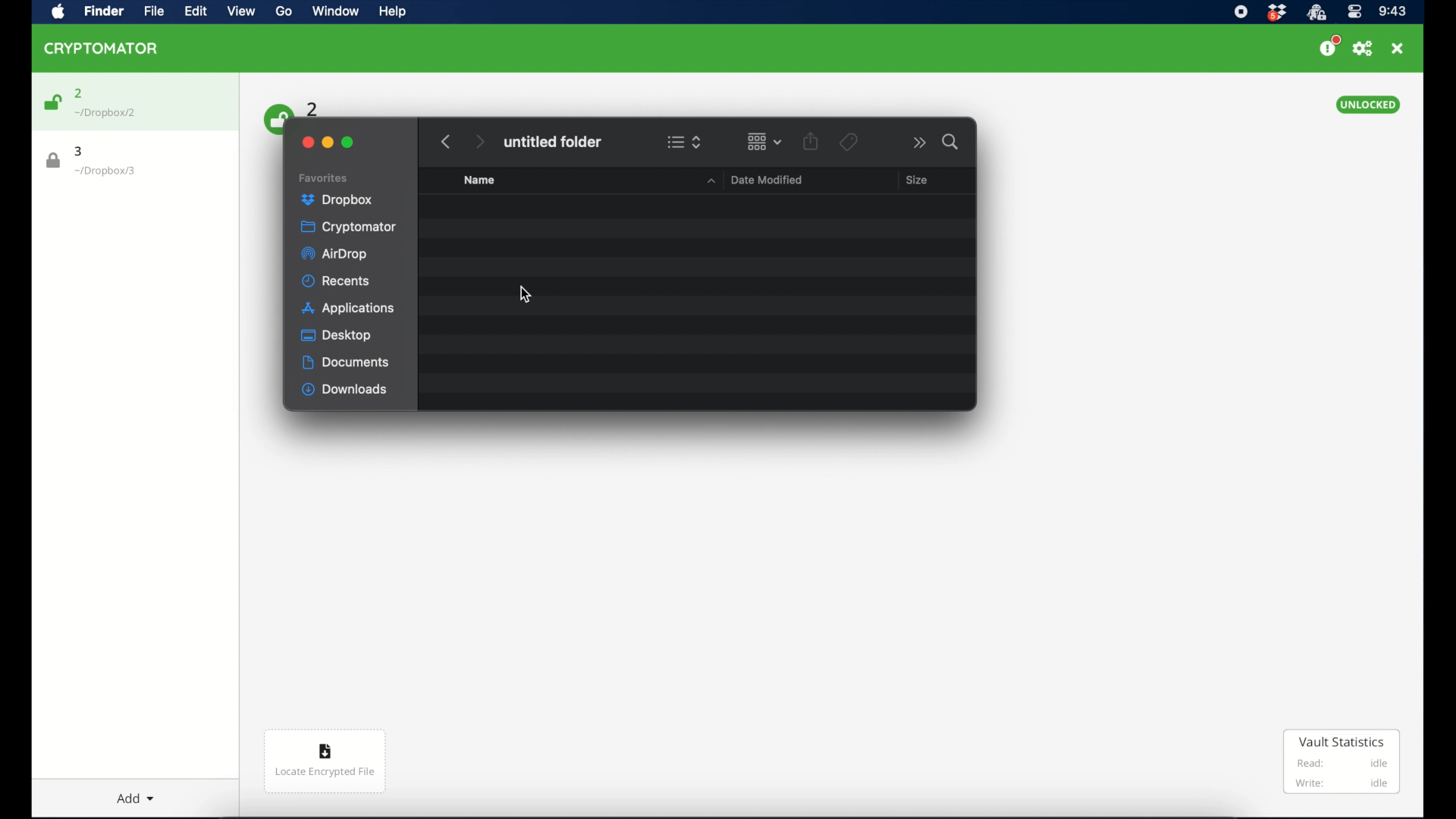 This screenshot has width=1456, height=819. Describe the element at coordinates (313, 108) in the screenshot. I see `2` at that location.